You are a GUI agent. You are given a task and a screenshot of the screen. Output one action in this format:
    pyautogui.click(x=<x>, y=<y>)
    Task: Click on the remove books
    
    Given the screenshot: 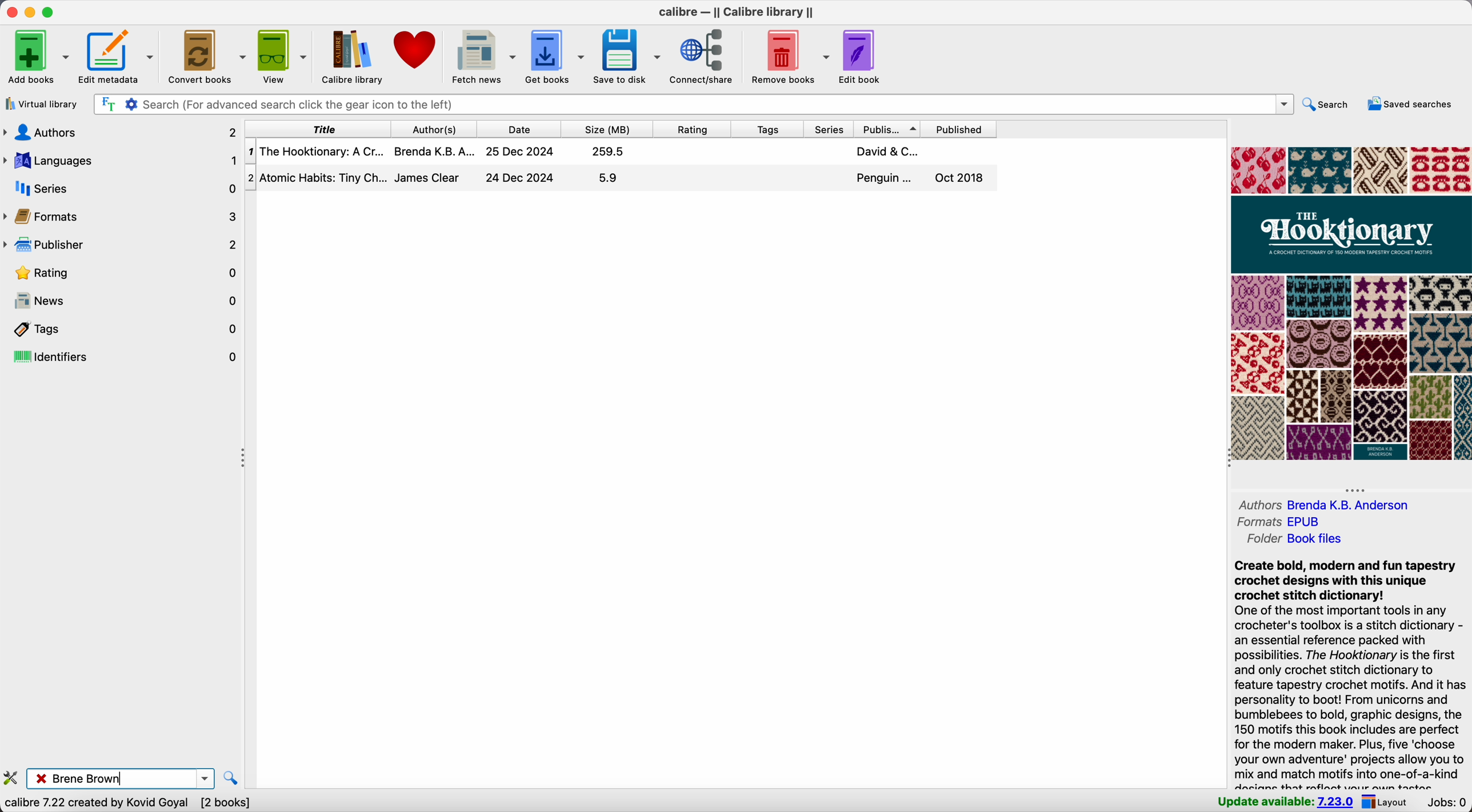 What is the action you would take?
    pyautogui.click(x=790, y=58)
    